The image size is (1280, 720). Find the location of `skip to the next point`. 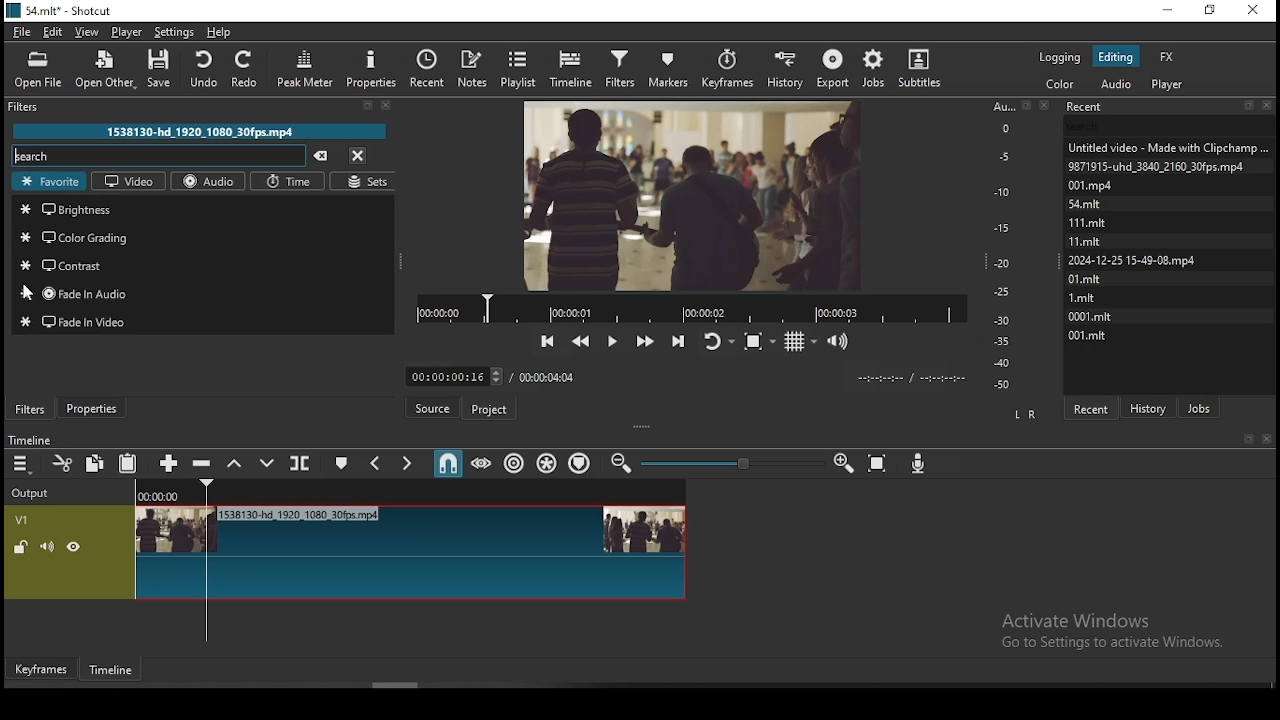

skip to the next point is located at coordinates (678, 339).